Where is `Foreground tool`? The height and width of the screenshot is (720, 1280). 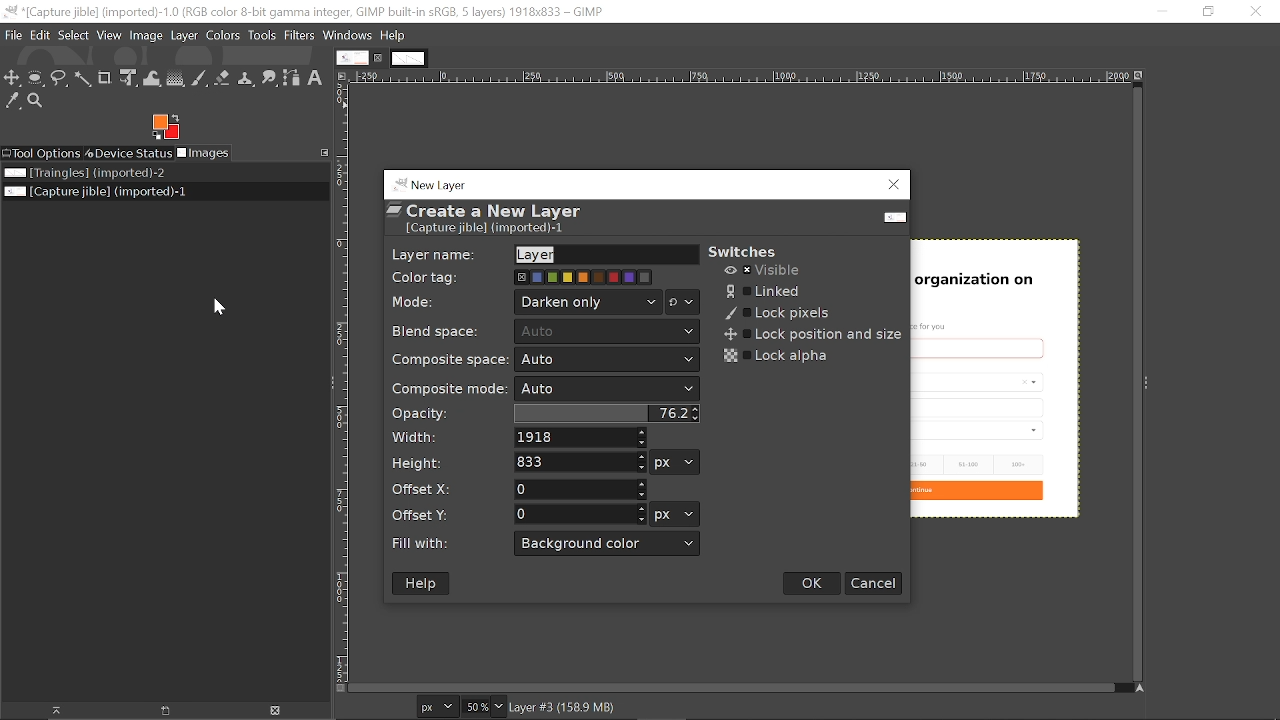
Foreground tool is located at coordinates (167, 127).